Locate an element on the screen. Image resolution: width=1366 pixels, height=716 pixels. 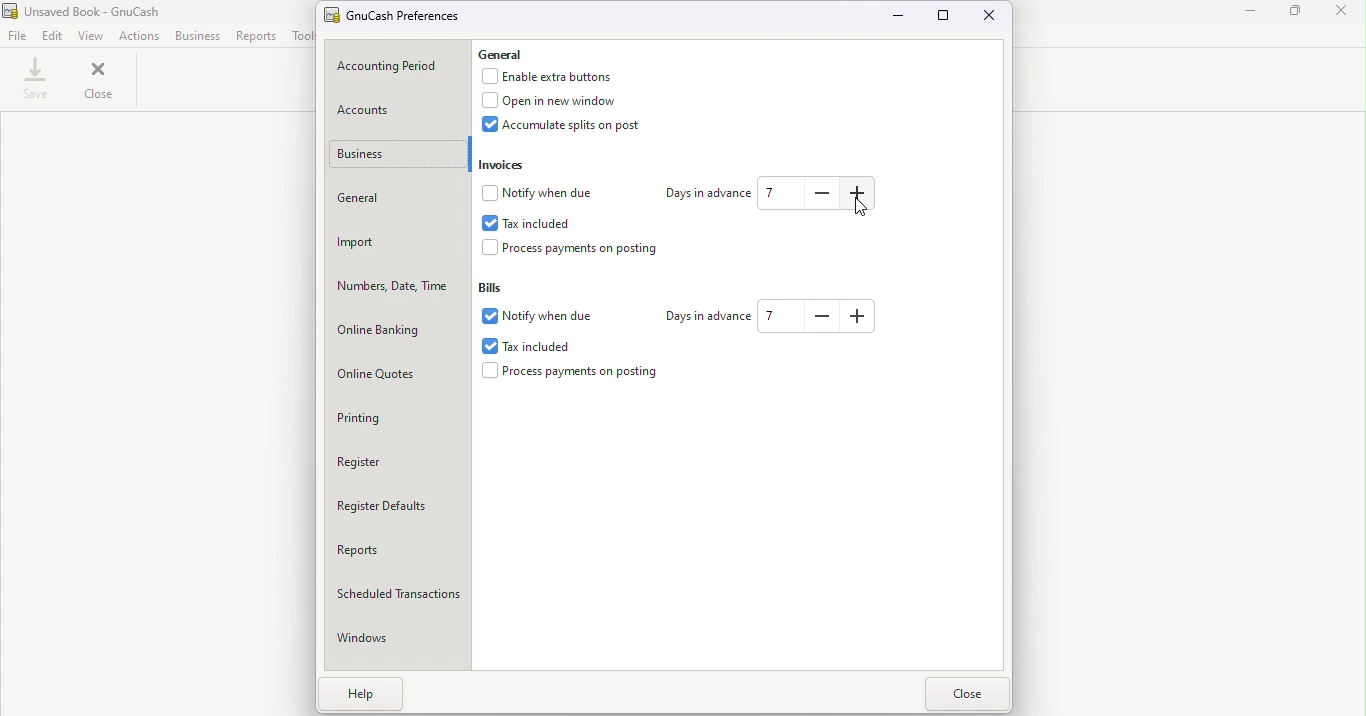
Actions is located at coordinates (138, 36).